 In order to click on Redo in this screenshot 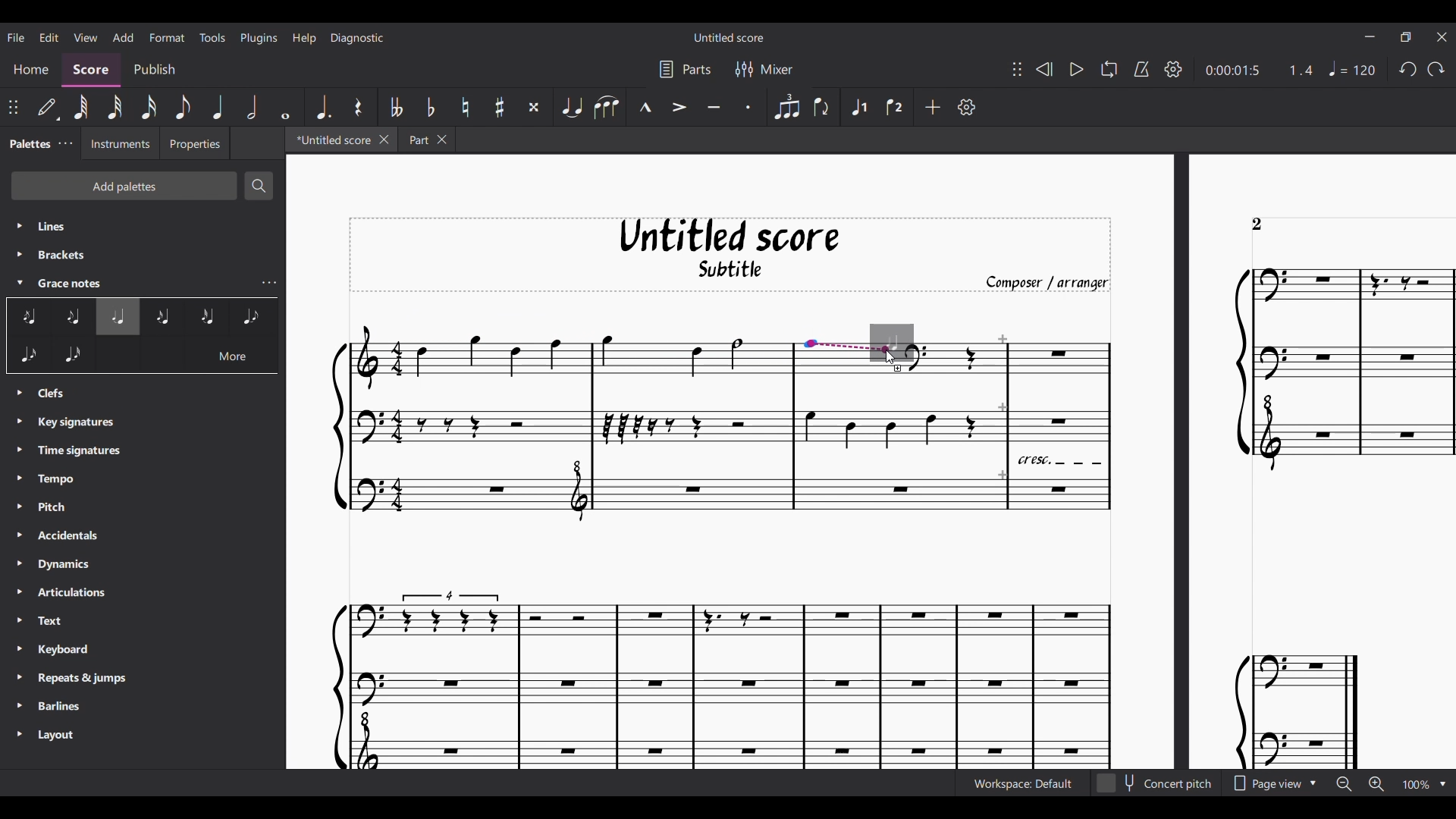, I will do `click(1436, 69)`.